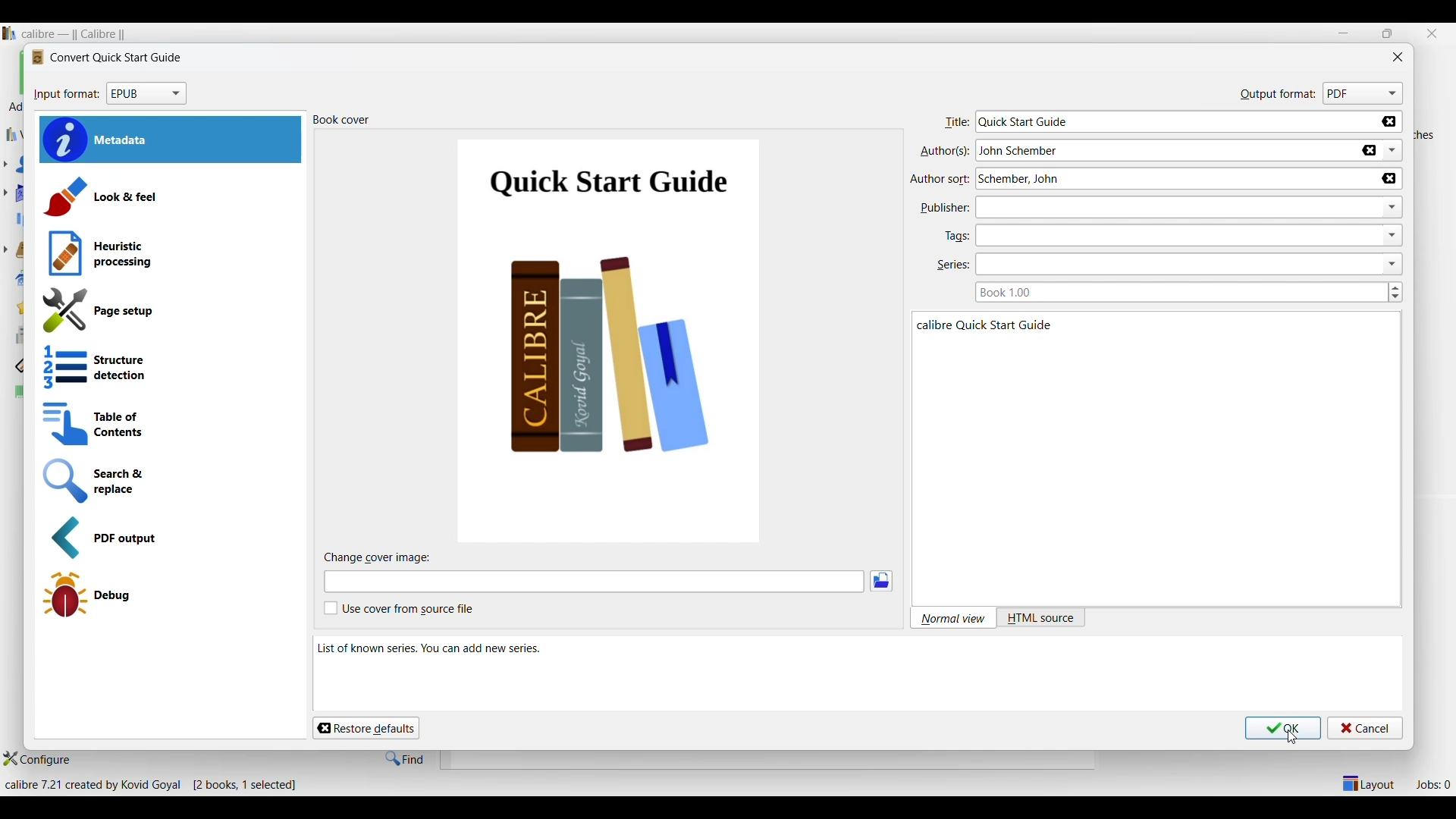 The width and height of the screenshot is (1456, 819). Describe the element at coordinates (171, 196) in the screenshot. I see `Look and feel` at that location.